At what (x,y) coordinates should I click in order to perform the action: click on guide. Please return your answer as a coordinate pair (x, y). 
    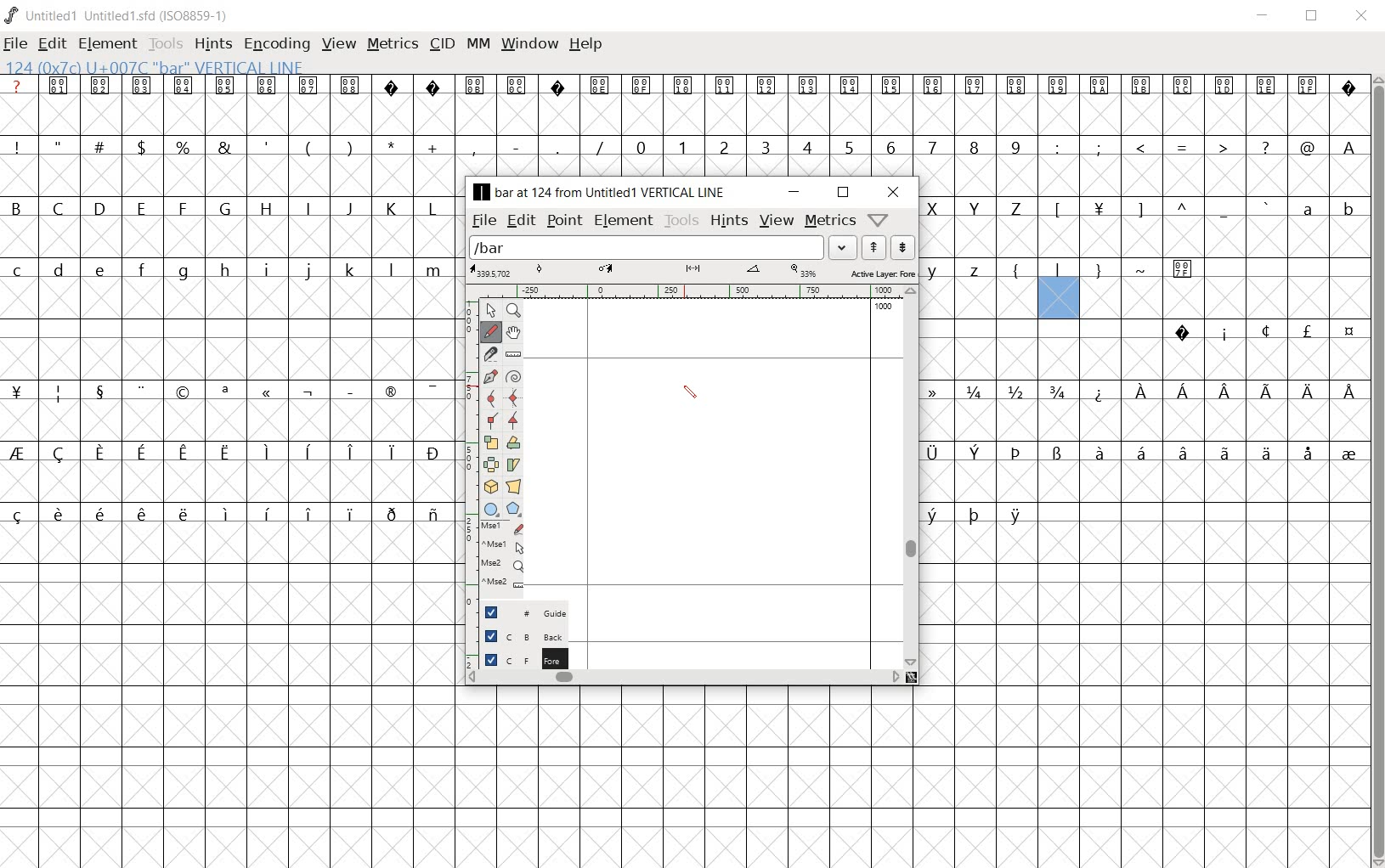
    Looking at the image, I should click on (517, 613).